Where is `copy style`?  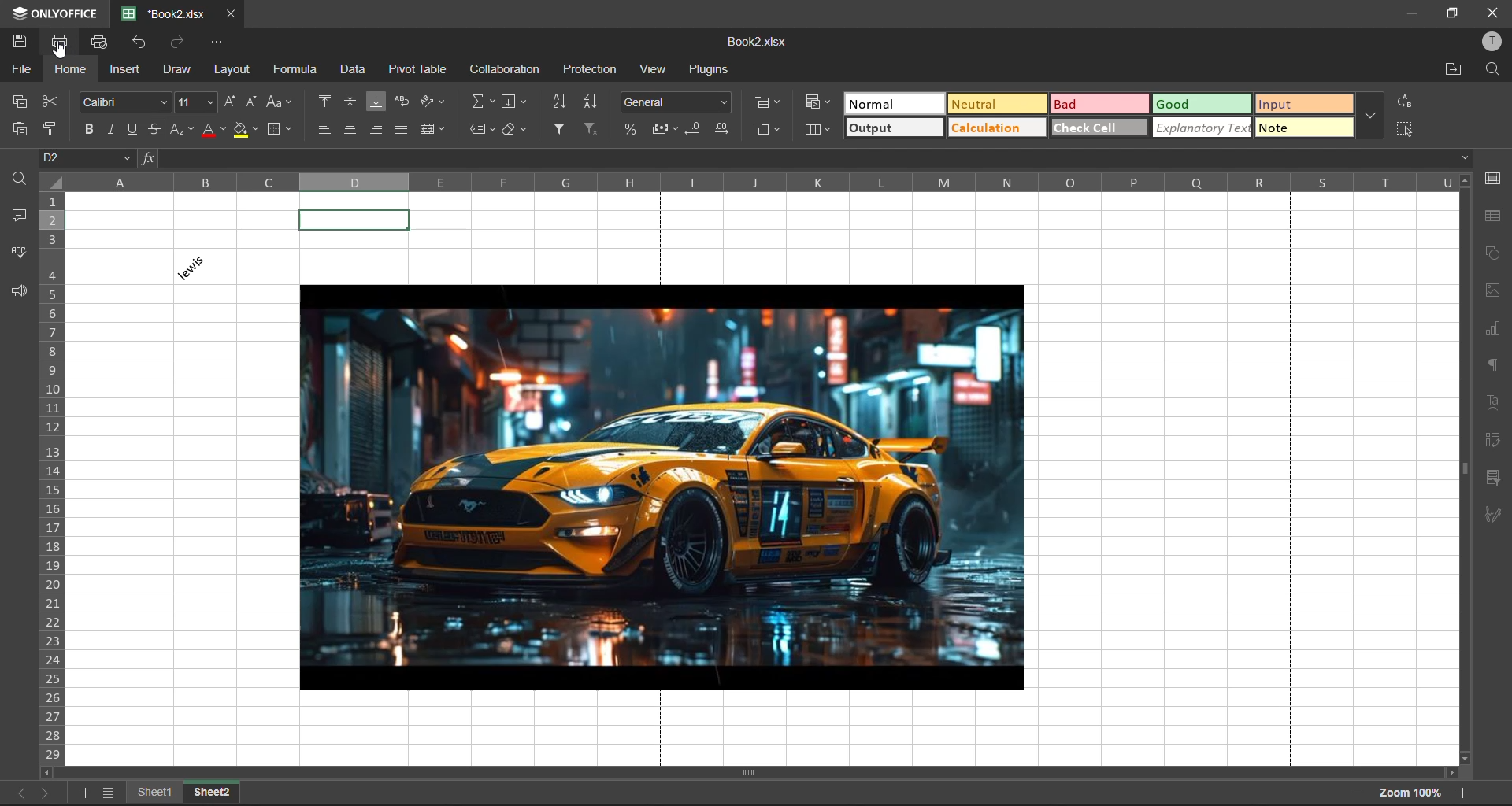 copy style is located at coordinates (51, 129).